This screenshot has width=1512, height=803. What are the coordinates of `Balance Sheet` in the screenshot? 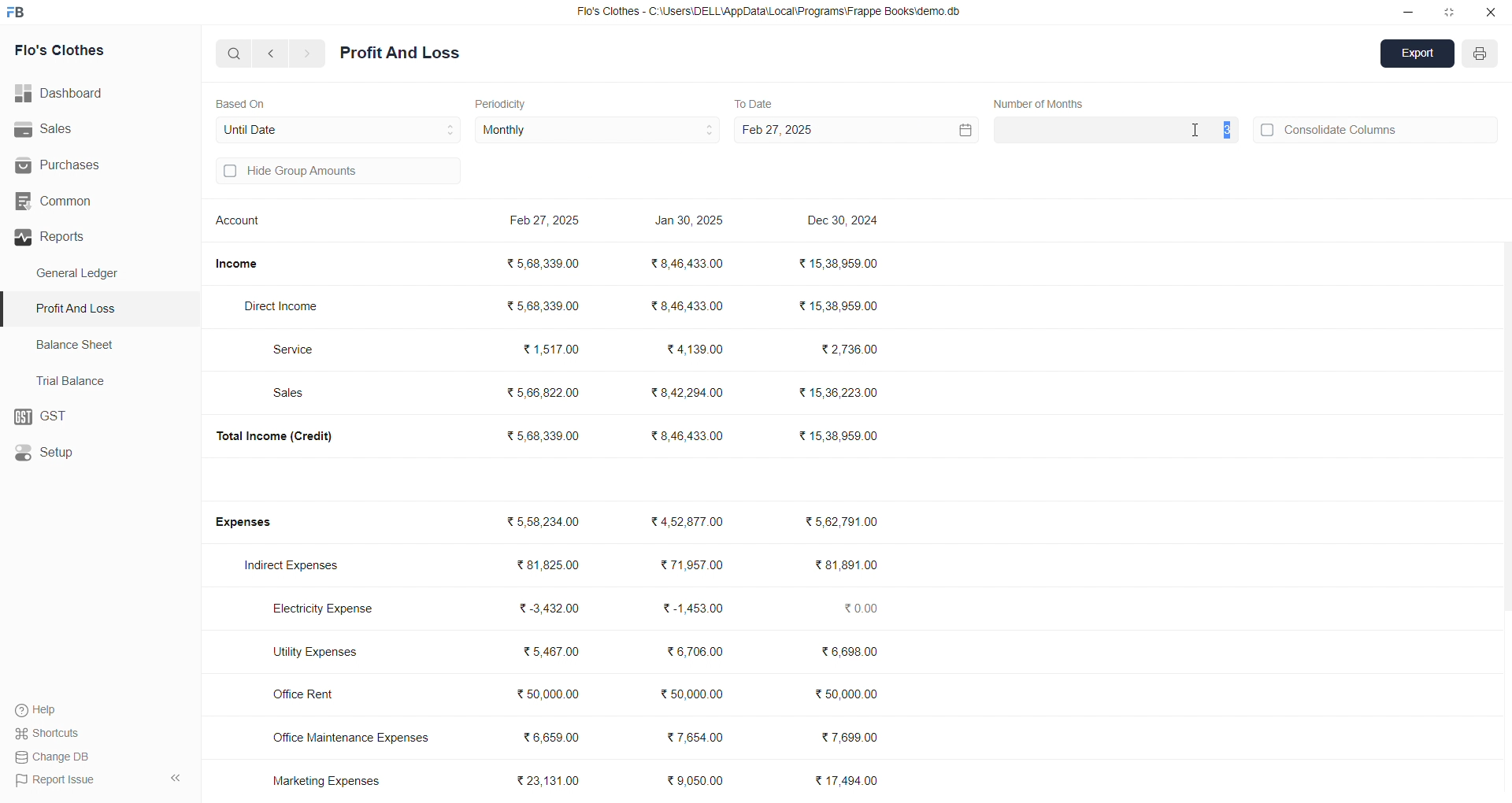 It's located at (77, 343).